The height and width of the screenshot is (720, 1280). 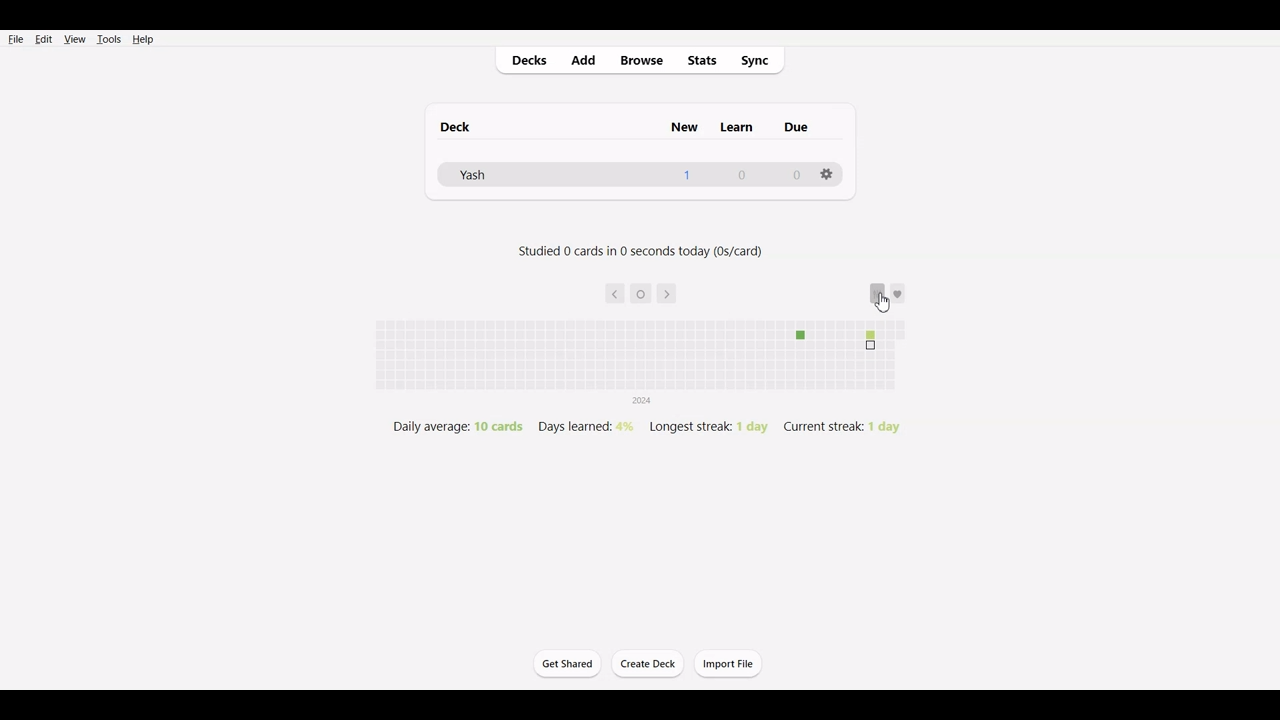 I want to click on Sync, so click(x=761, y=60).